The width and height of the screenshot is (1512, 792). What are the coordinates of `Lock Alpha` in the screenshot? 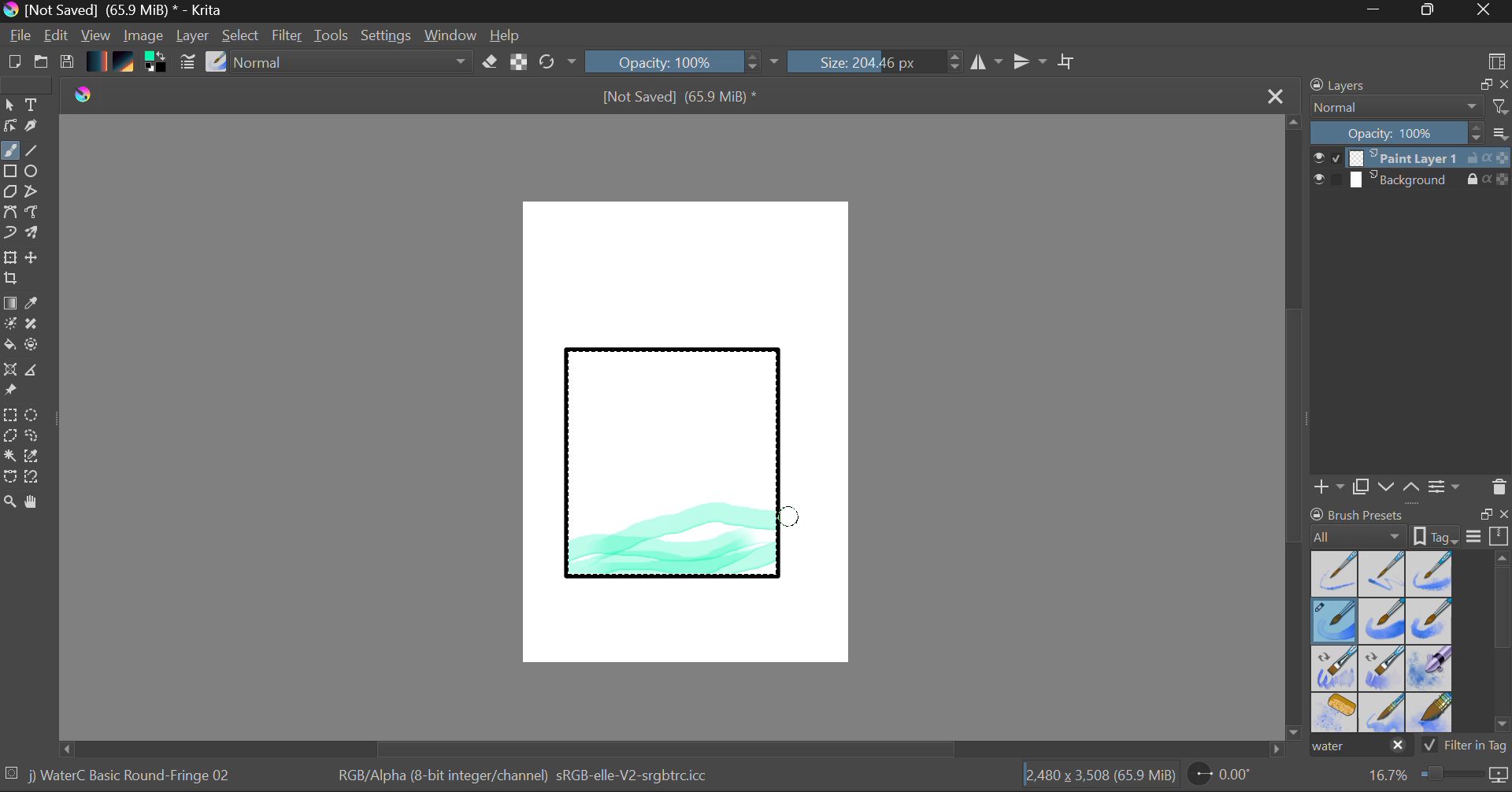 It's located at (517, 63).